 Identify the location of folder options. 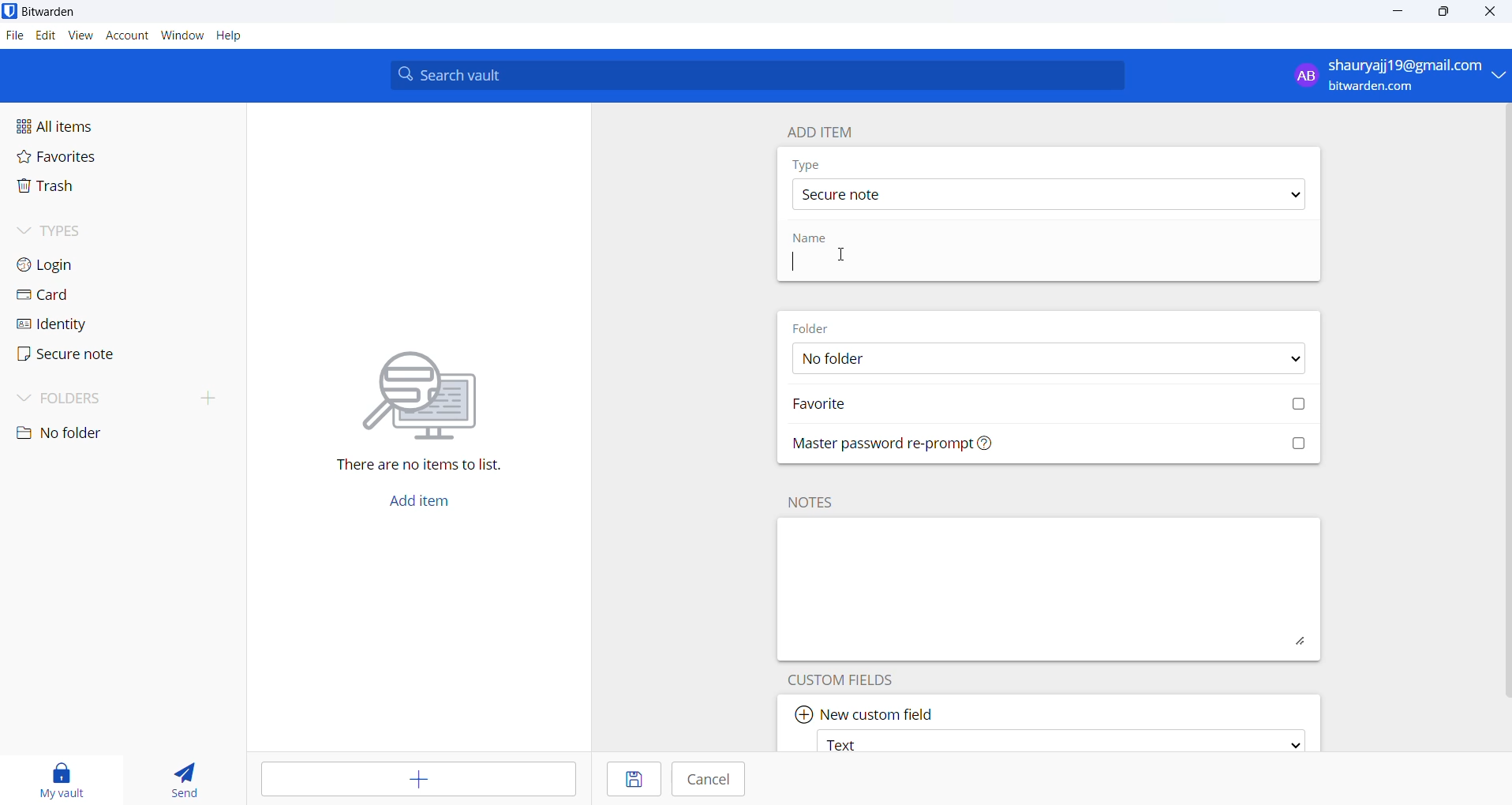
(1046, 360).